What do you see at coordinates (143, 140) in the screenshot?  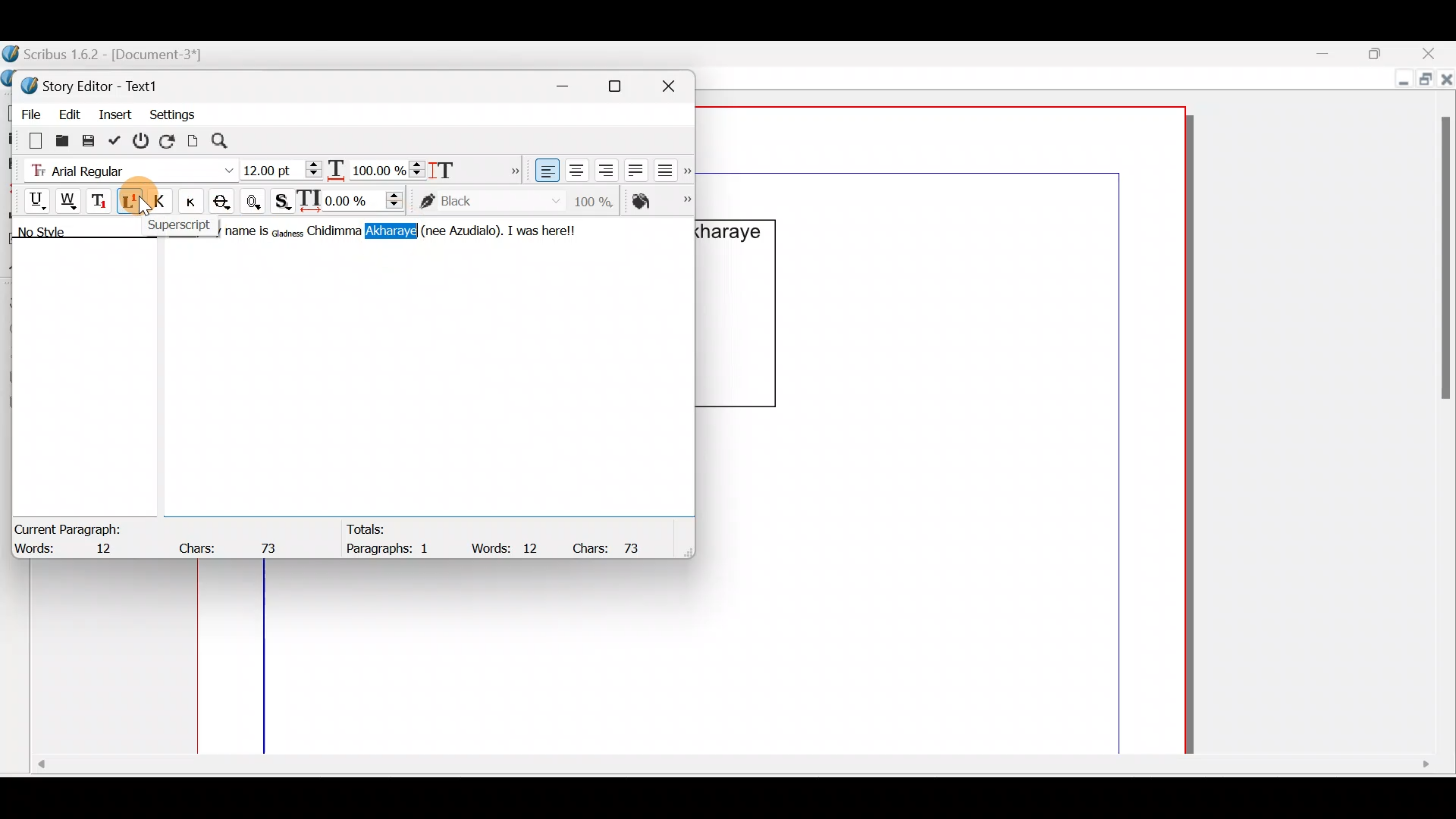 I see `Exit without updating text frame` at bounding box center [143, 140].